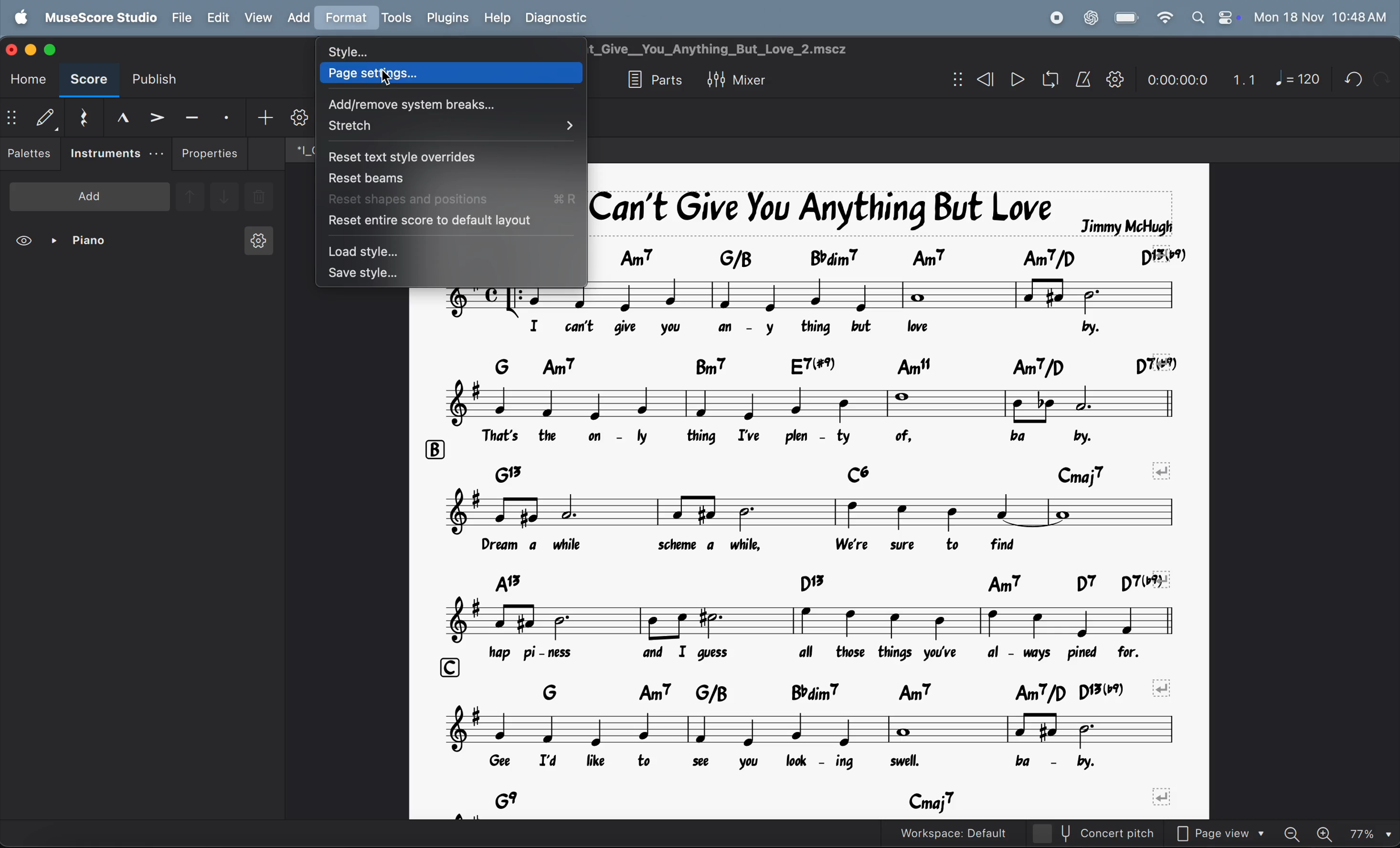 The width and height of the screenshot is (1400, 848). I want to click on mixer, so click(749, 78).